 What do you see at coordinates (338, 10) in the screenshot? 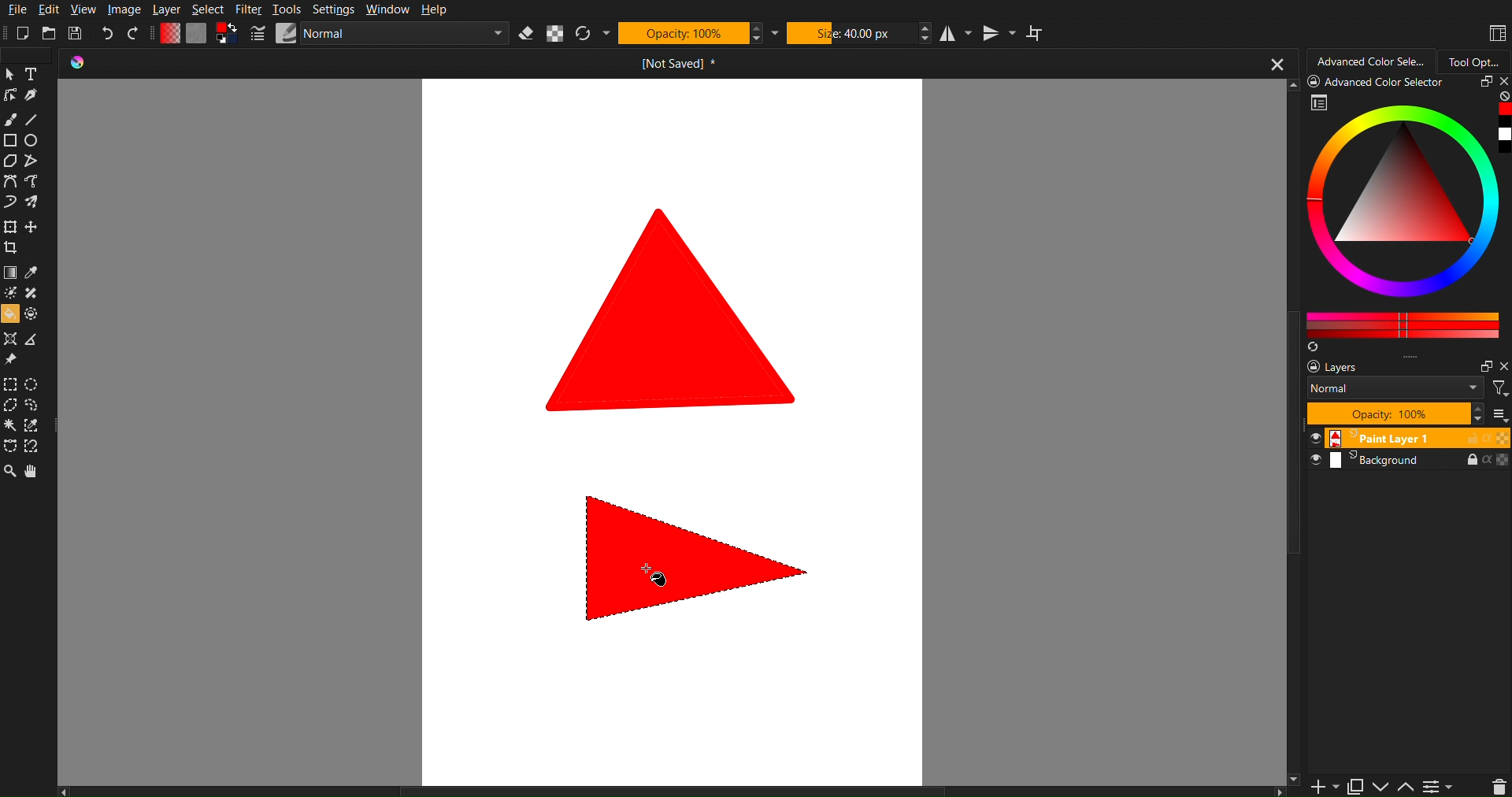
I see `Settings` at bounding box center [338, 10].